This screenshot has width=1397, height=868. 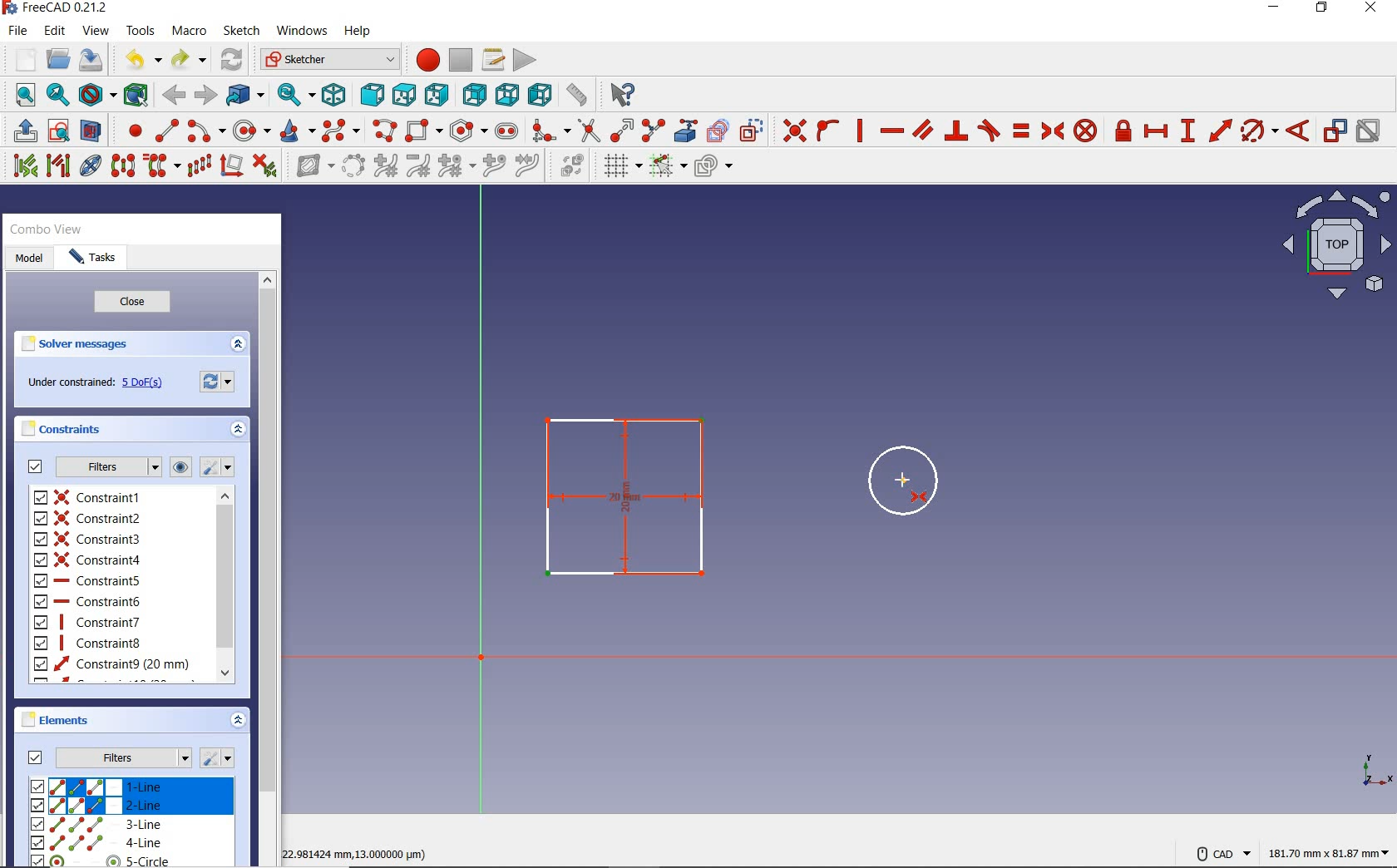 What do you see at coordinates (1021, 133) in the screenshot?
I see `constrain equal` at bounding box center [1021, 133].